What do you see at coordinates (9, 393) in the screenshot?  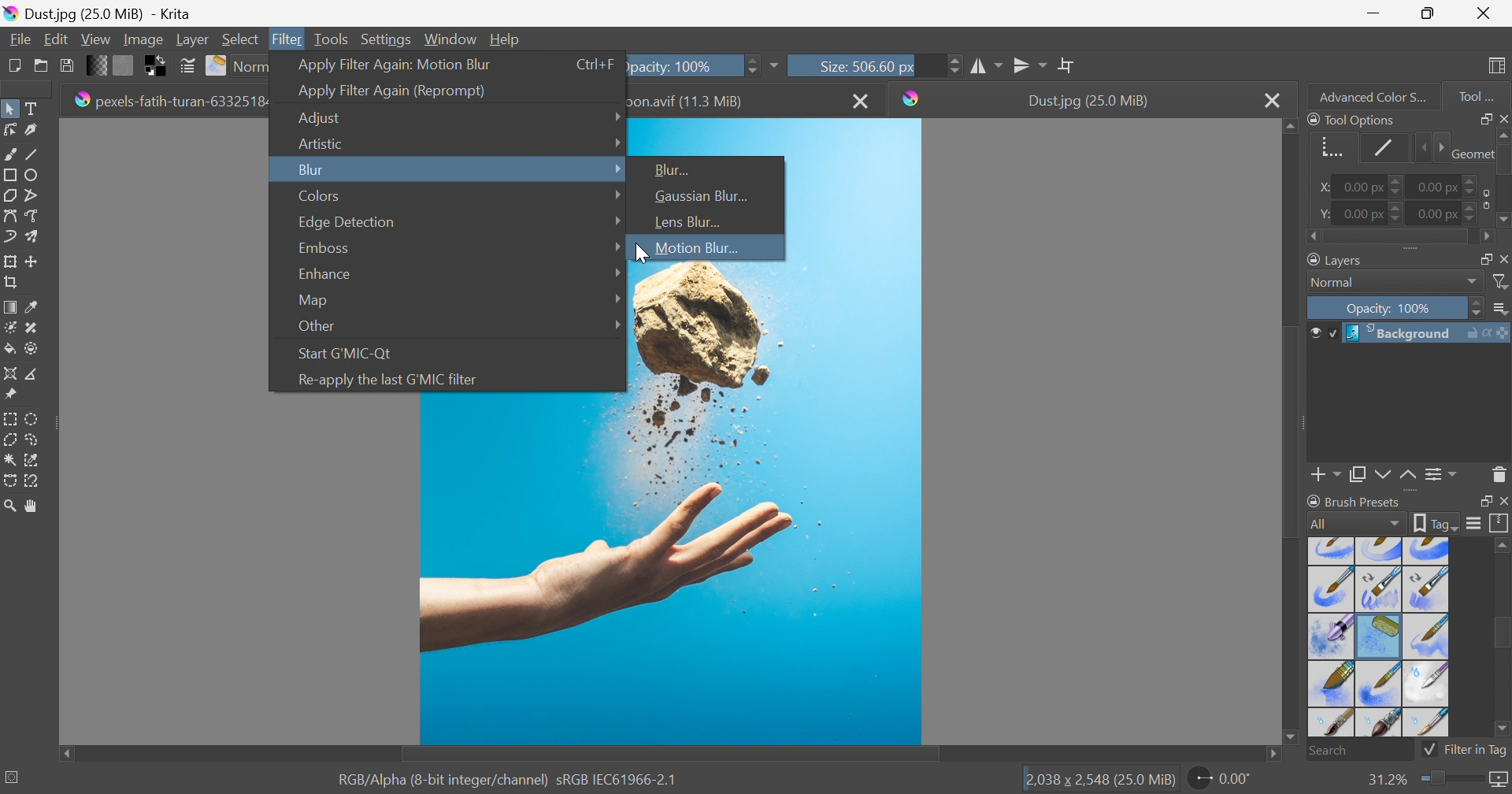 I see `Reference images tool` at bounding box center [9, 393].